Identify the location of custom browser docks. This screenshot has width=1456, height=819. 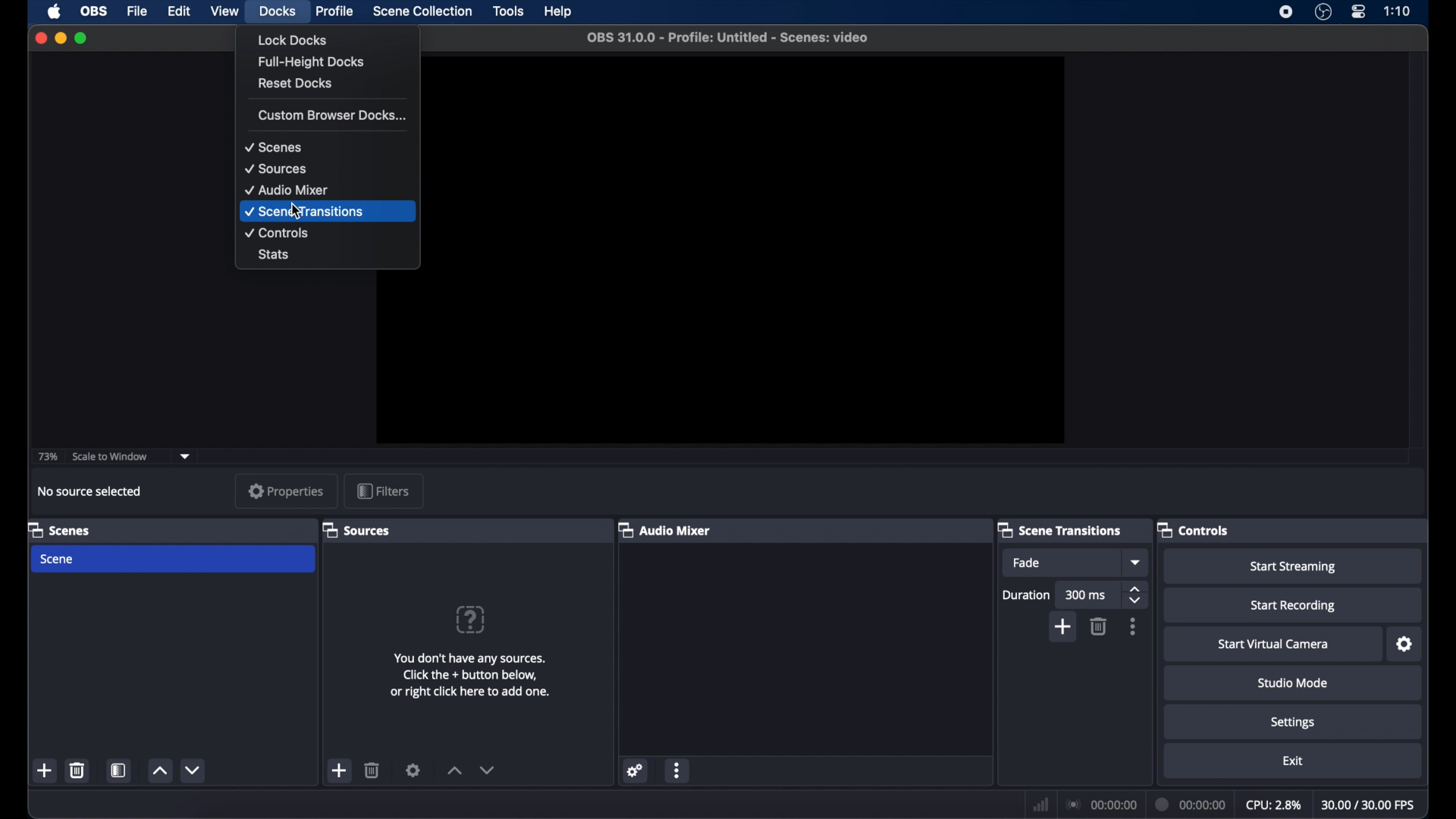
(332, 115).